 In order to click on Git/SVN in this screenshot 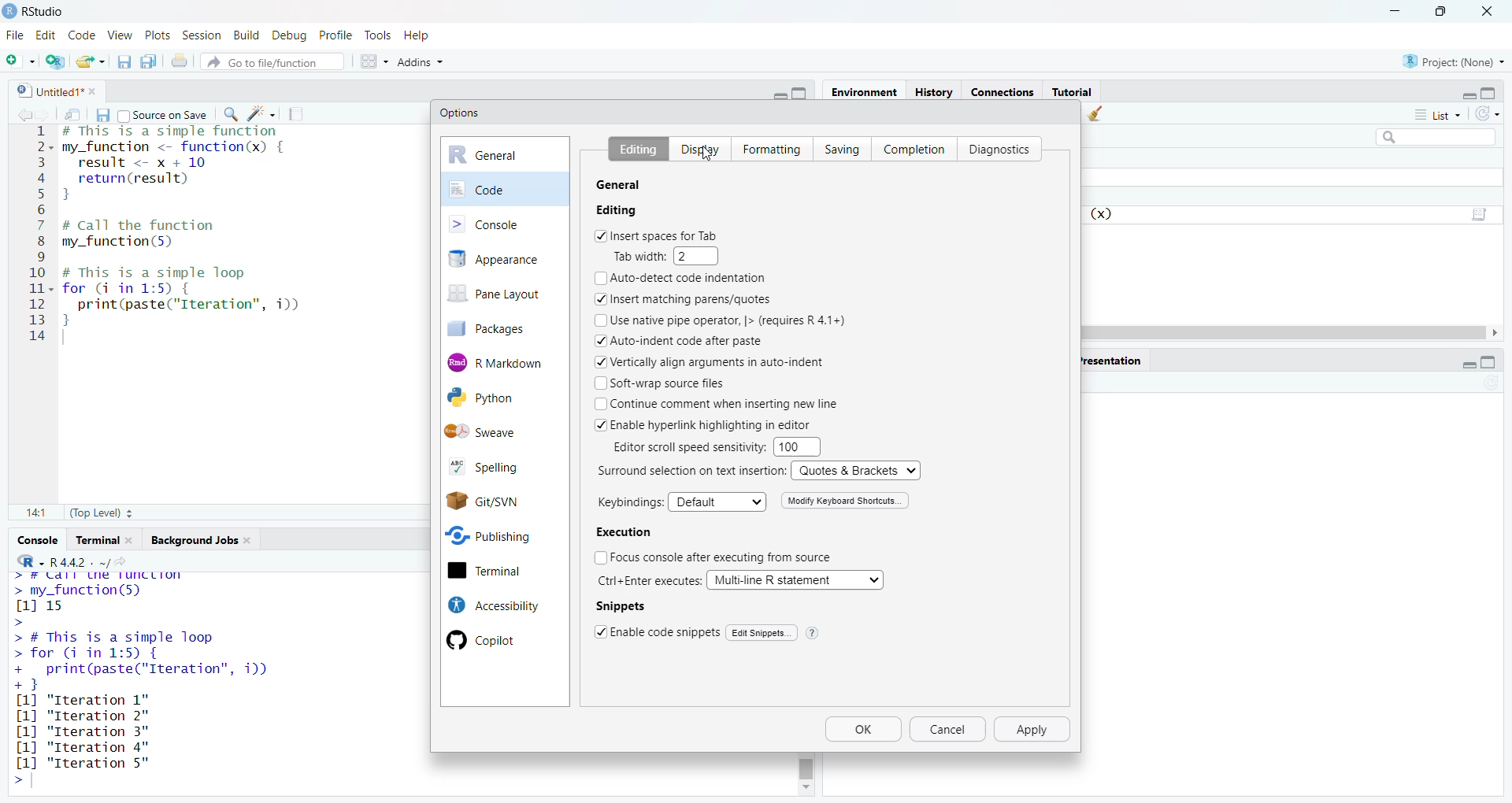, I will do `click(503, 500)`.